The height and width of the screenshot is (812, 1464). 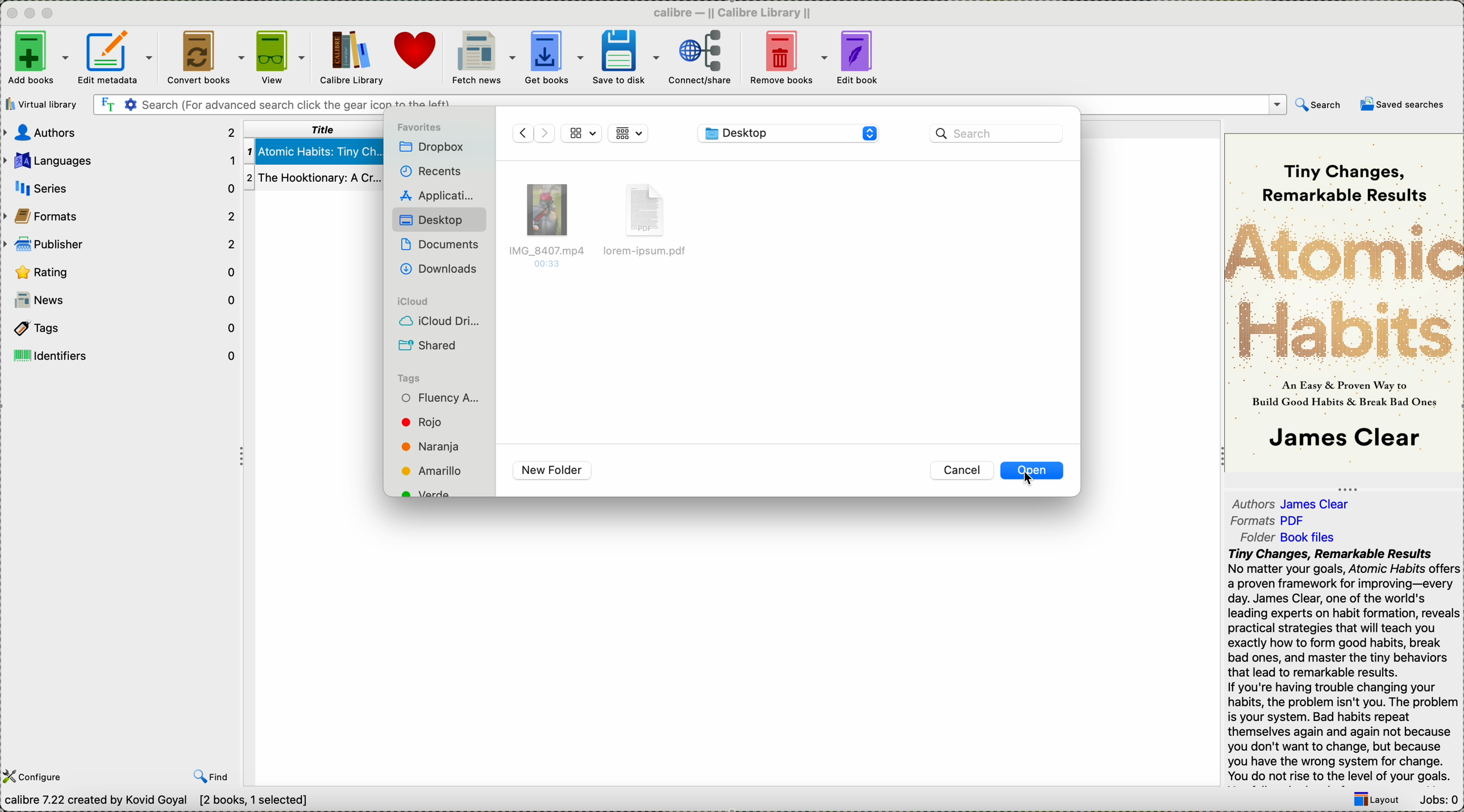 I want to click on tag, so click(x=429, y=471).